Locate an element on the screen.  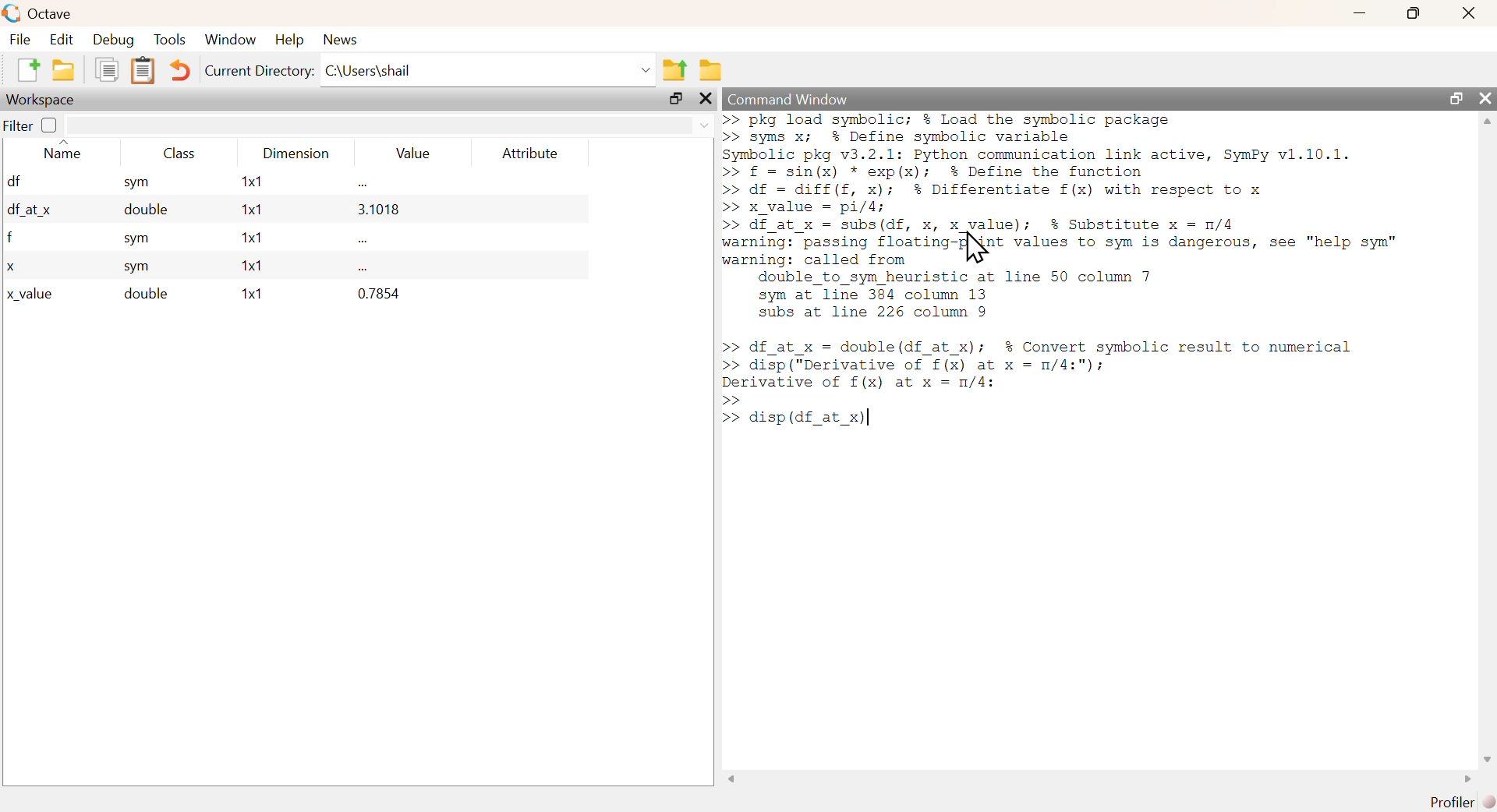
Workspace; is located at coordinates (41, 100).